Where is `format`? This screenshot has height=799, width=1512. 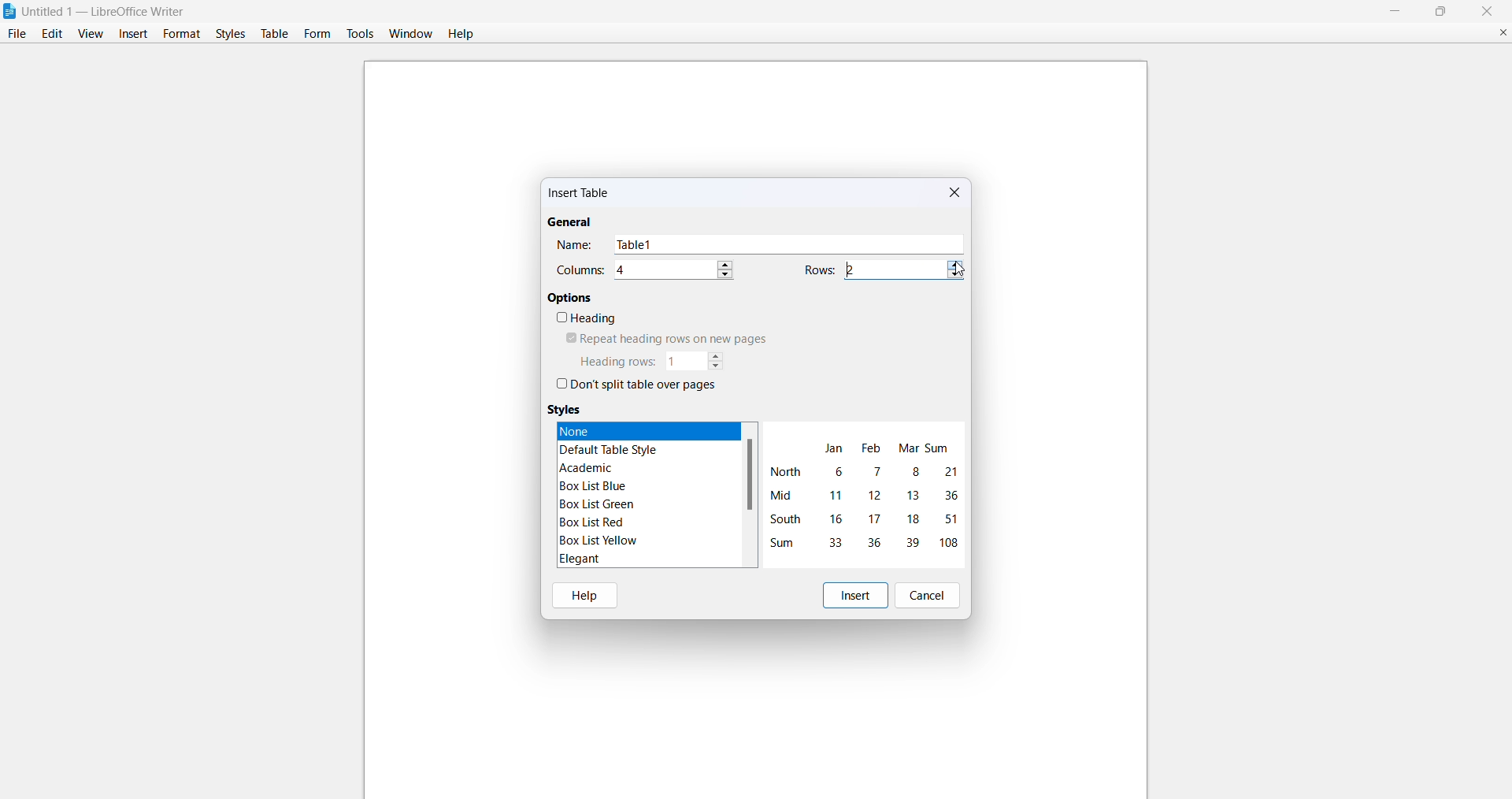
format is located at coordinates (179, 32).